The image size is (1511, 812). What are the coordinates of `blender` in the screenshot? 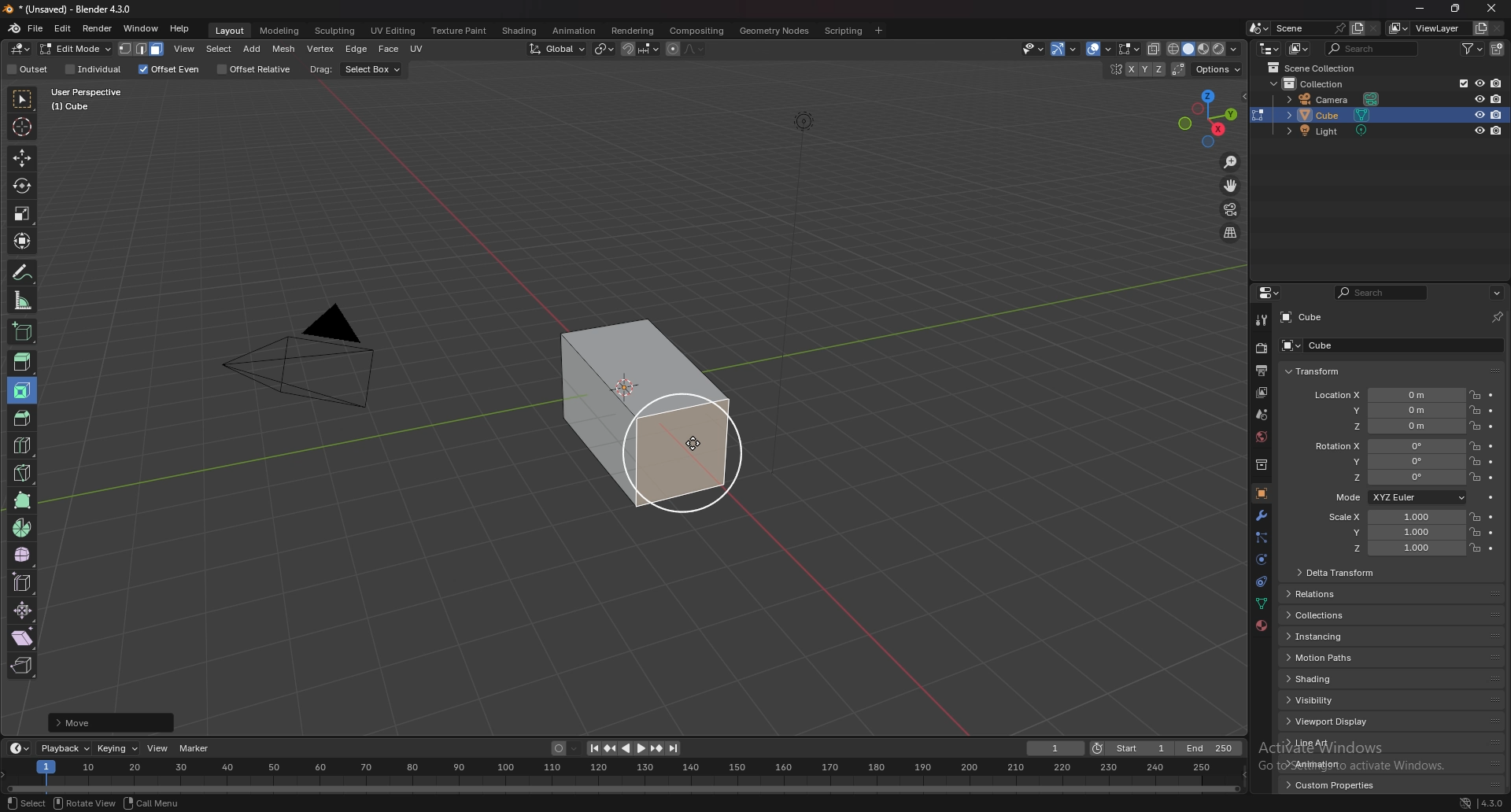 It's located at (14, 28).